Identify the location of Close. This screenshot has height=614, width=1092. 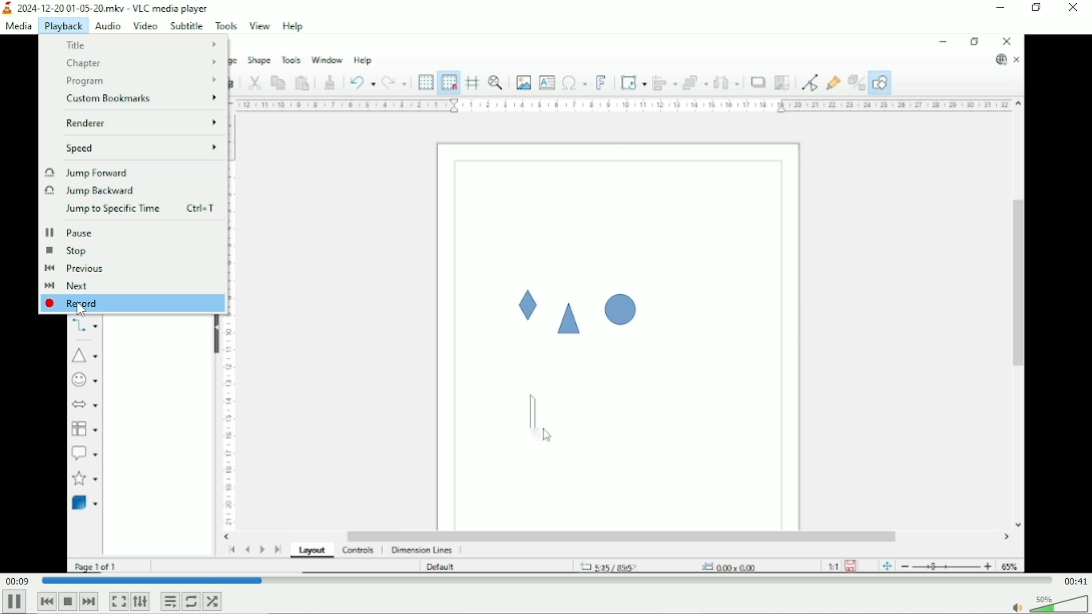
(1072, 8).